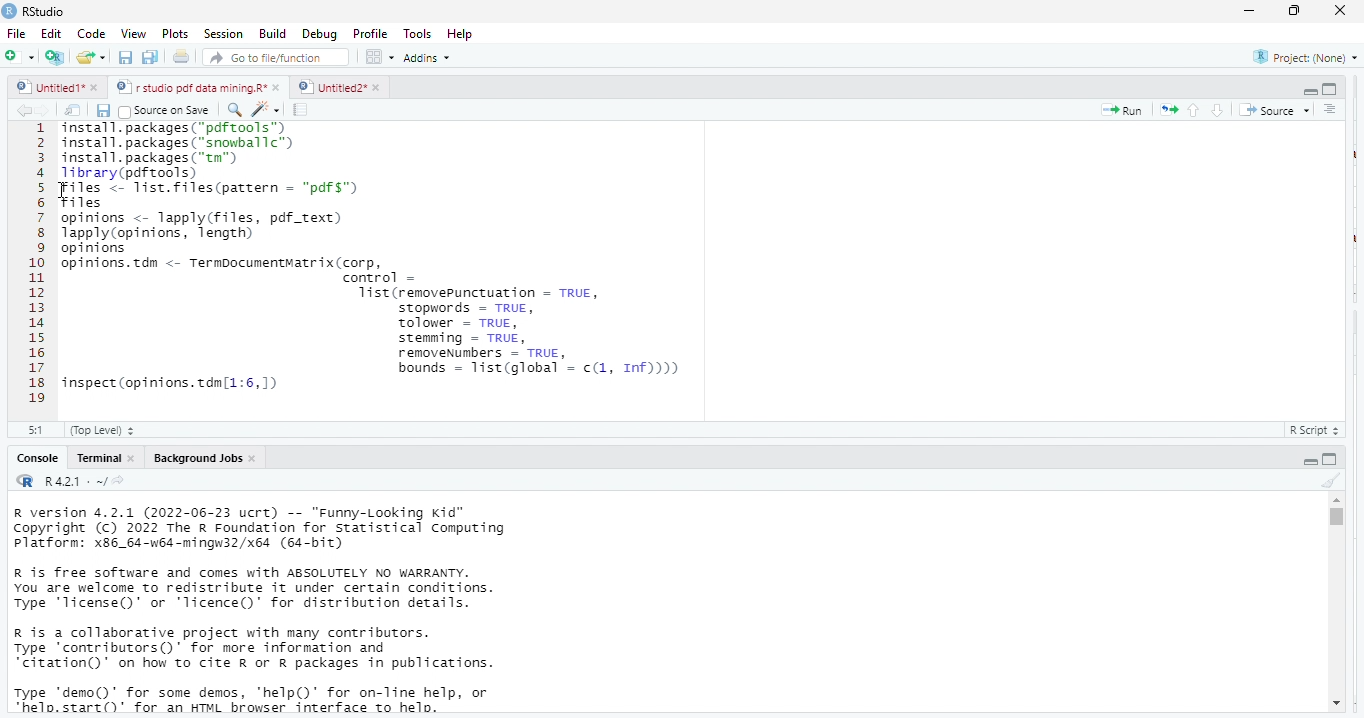  What do you see at coordinates (330, 86) in the screenshot?
I see `untitled 2` at bounding box center [330, 86].